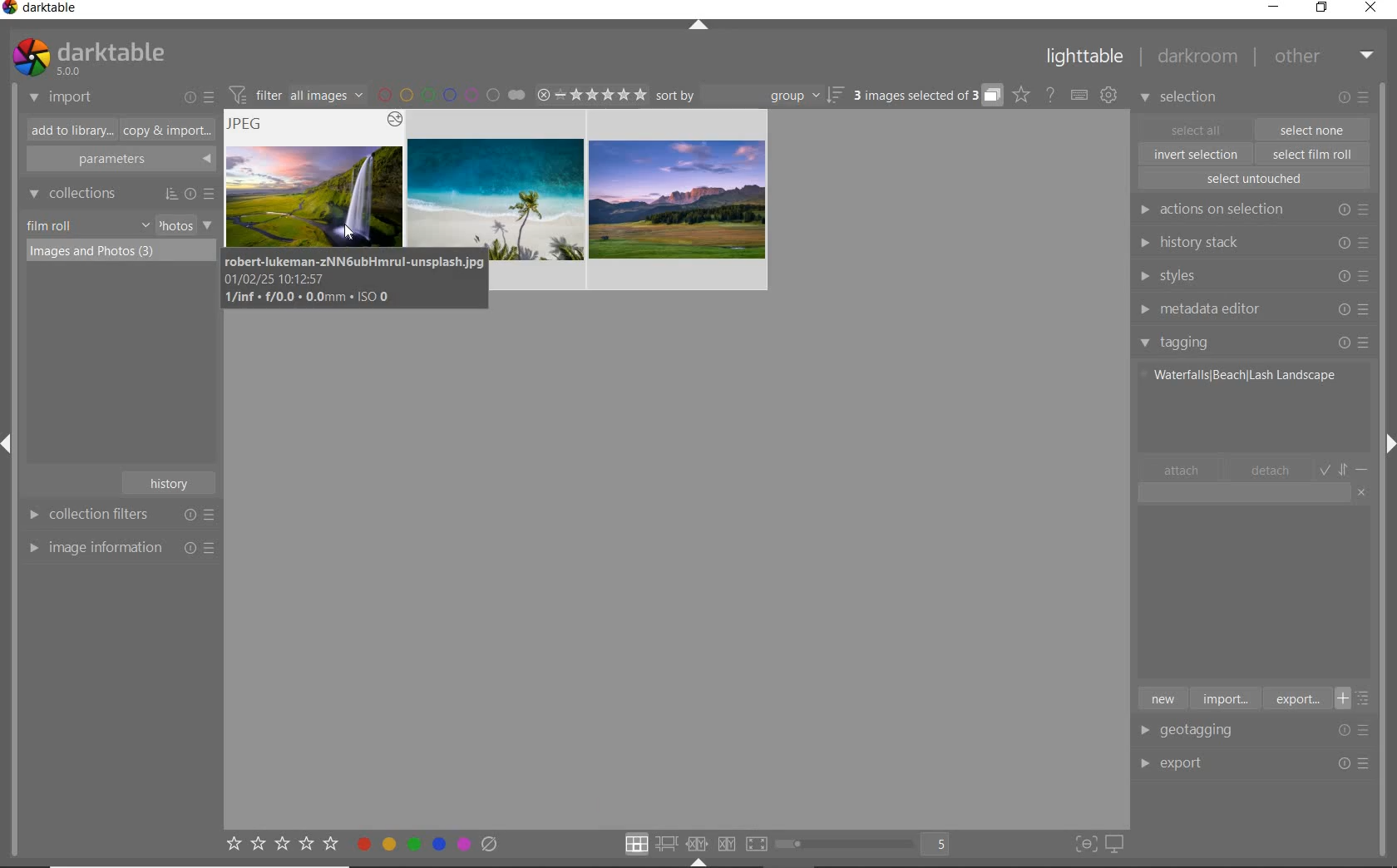 This screenshot has height=868, width=1397. What do you see at coordinates (1356, 98) in the screenshot?
I see `modify selected images or presets & preferences` at bounding box center [1356, 98].